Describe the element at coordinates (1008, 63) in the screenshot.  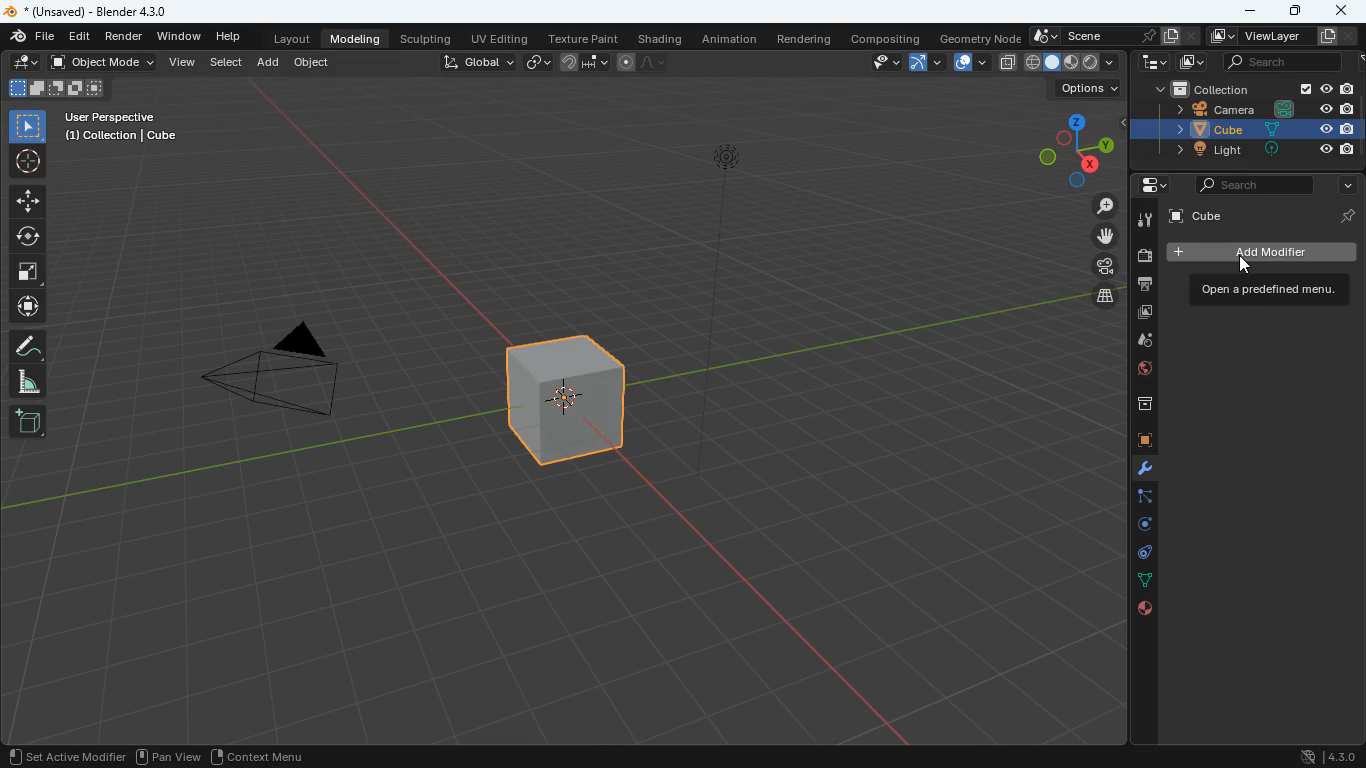
I see `copy` at that location.